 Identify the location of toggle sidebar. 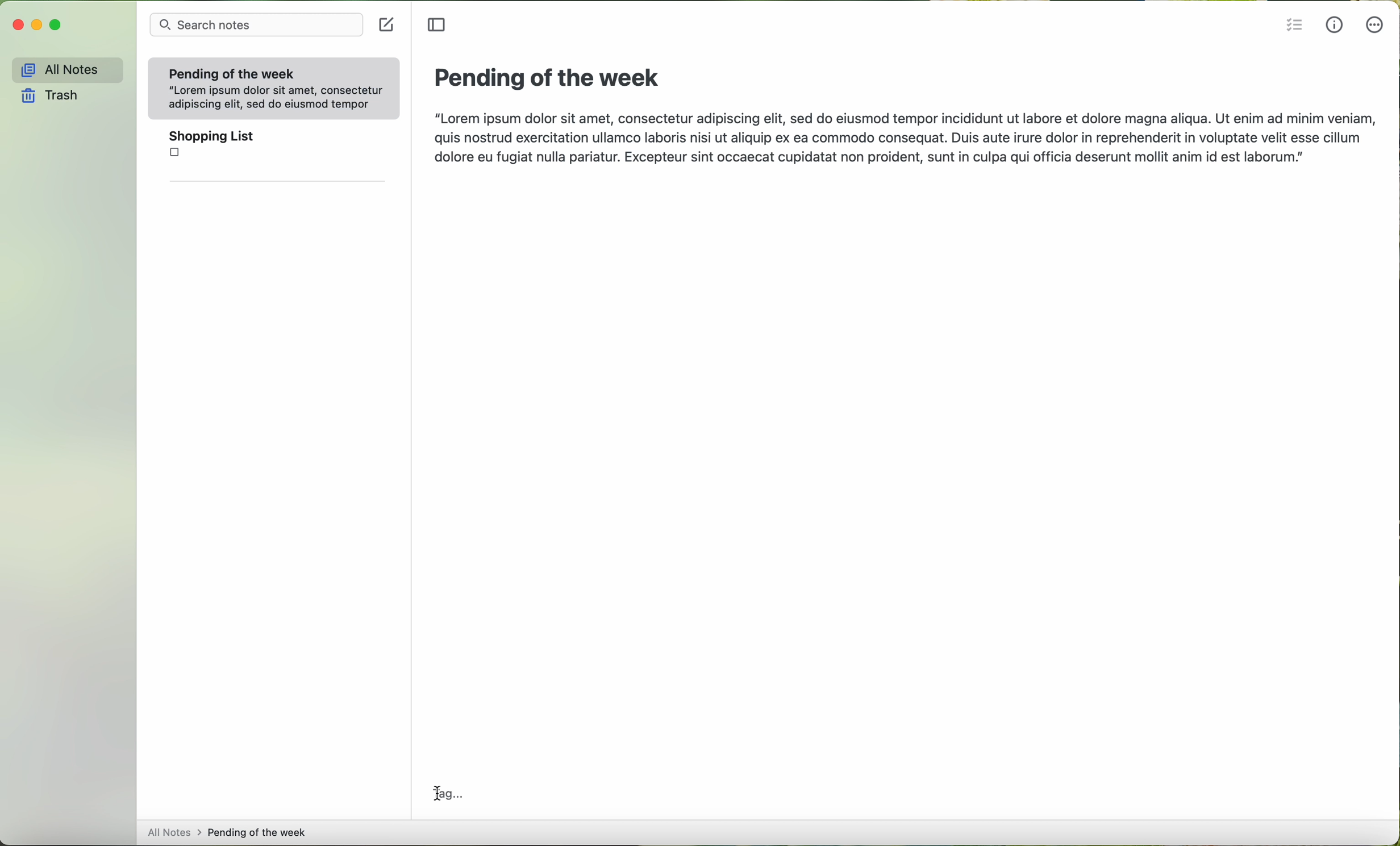
(436, 26).